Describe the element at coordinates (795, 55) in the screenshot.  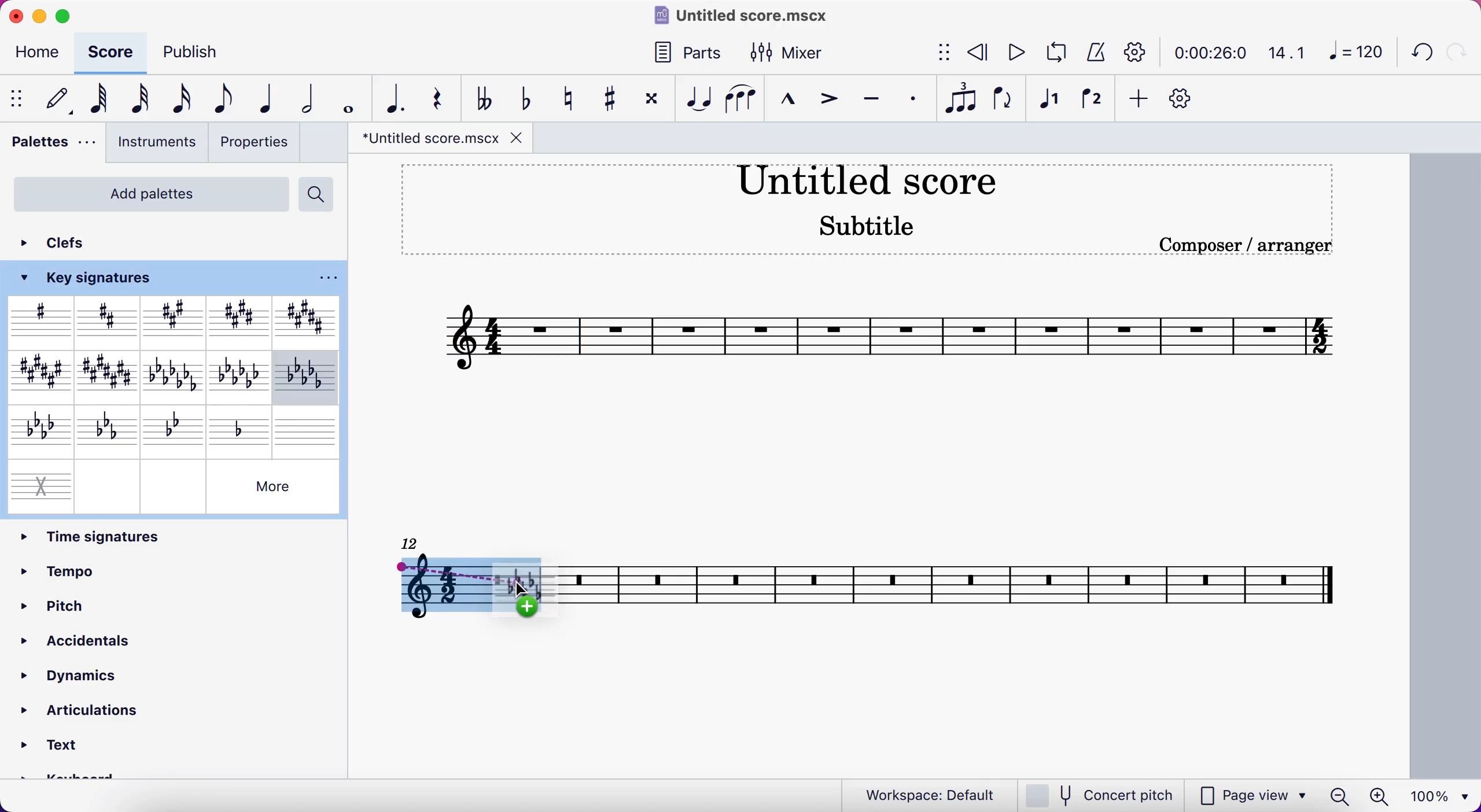
I see `mixer` at that location.